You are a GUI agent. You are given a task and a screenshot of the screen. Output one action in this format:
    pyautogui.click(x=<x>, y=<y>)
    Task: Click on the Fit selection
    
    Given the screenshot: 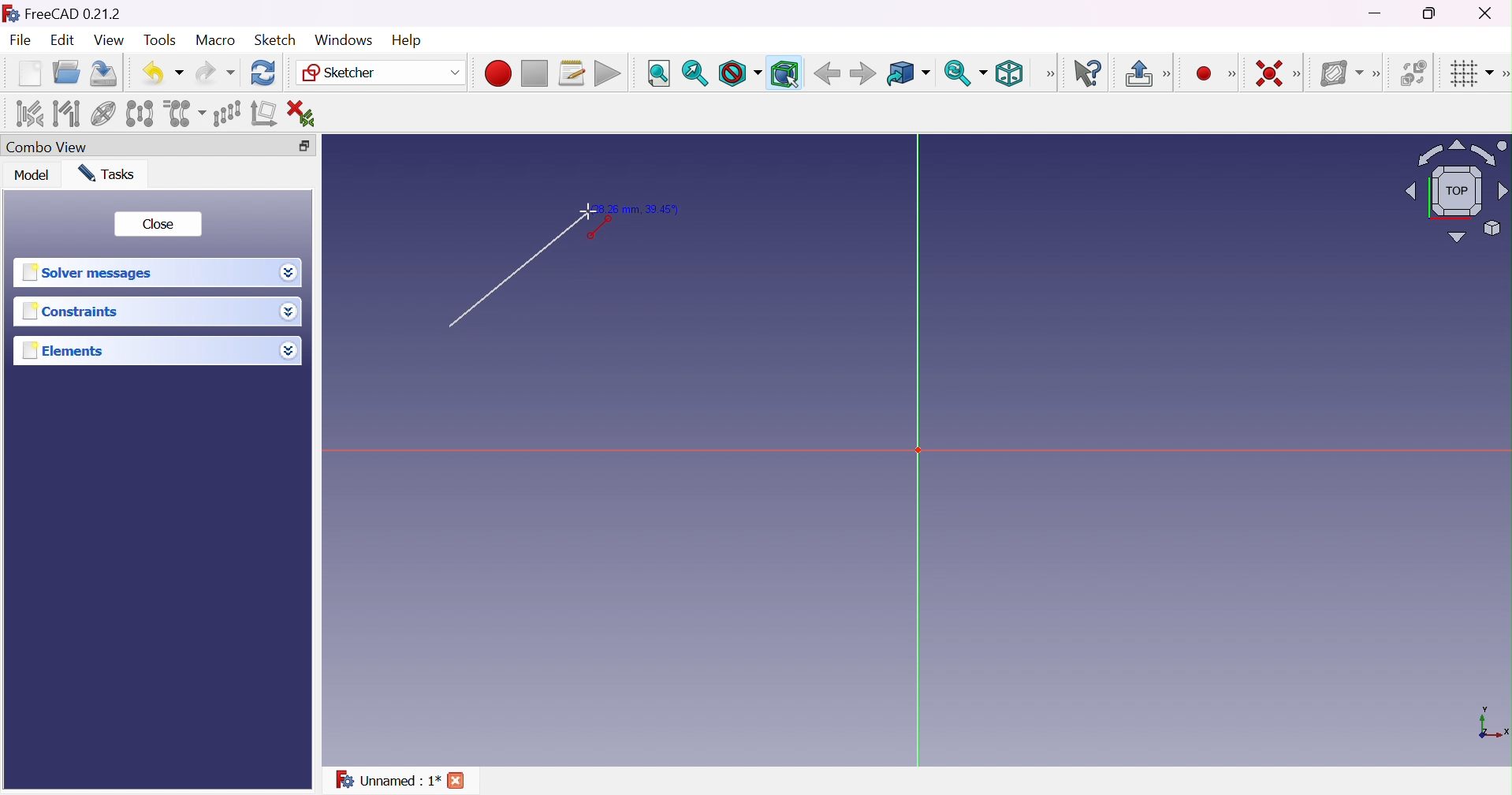 What is the action you would take?
    pyautogui.click(x=695, y=73)
    